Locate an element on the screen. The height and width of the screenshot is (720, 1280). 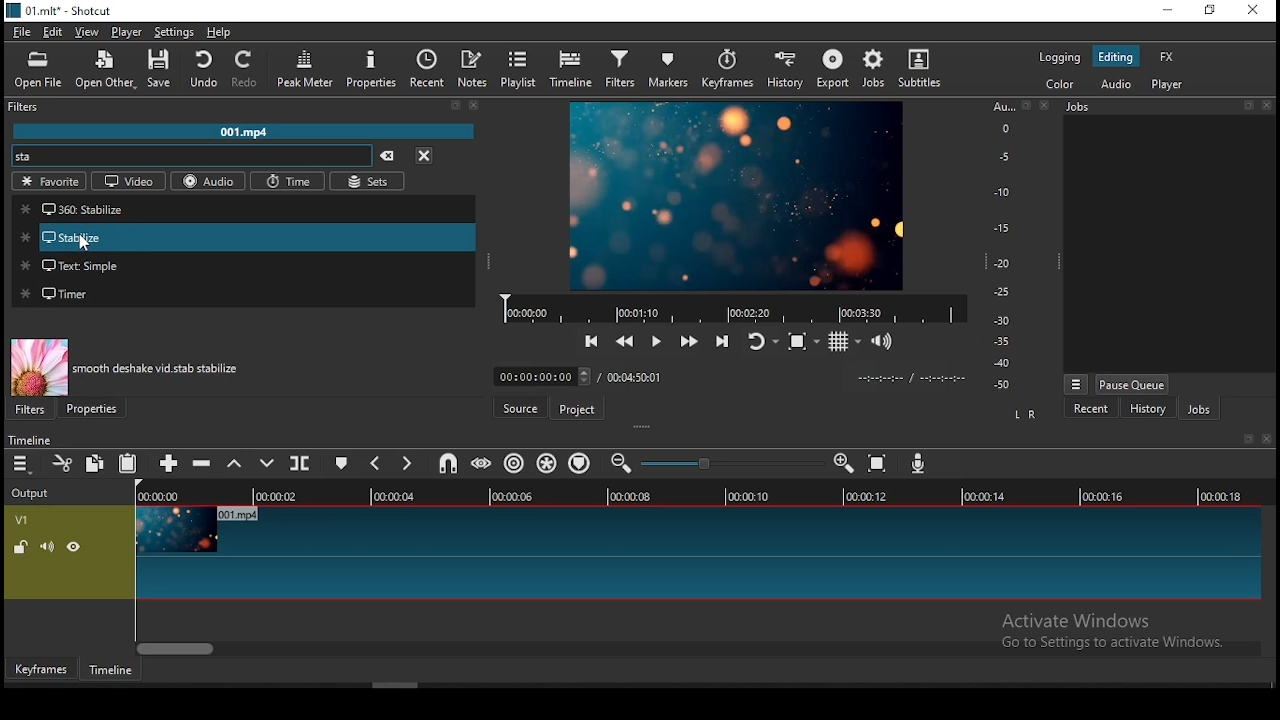
audio is located at coordinates (1120, 84).